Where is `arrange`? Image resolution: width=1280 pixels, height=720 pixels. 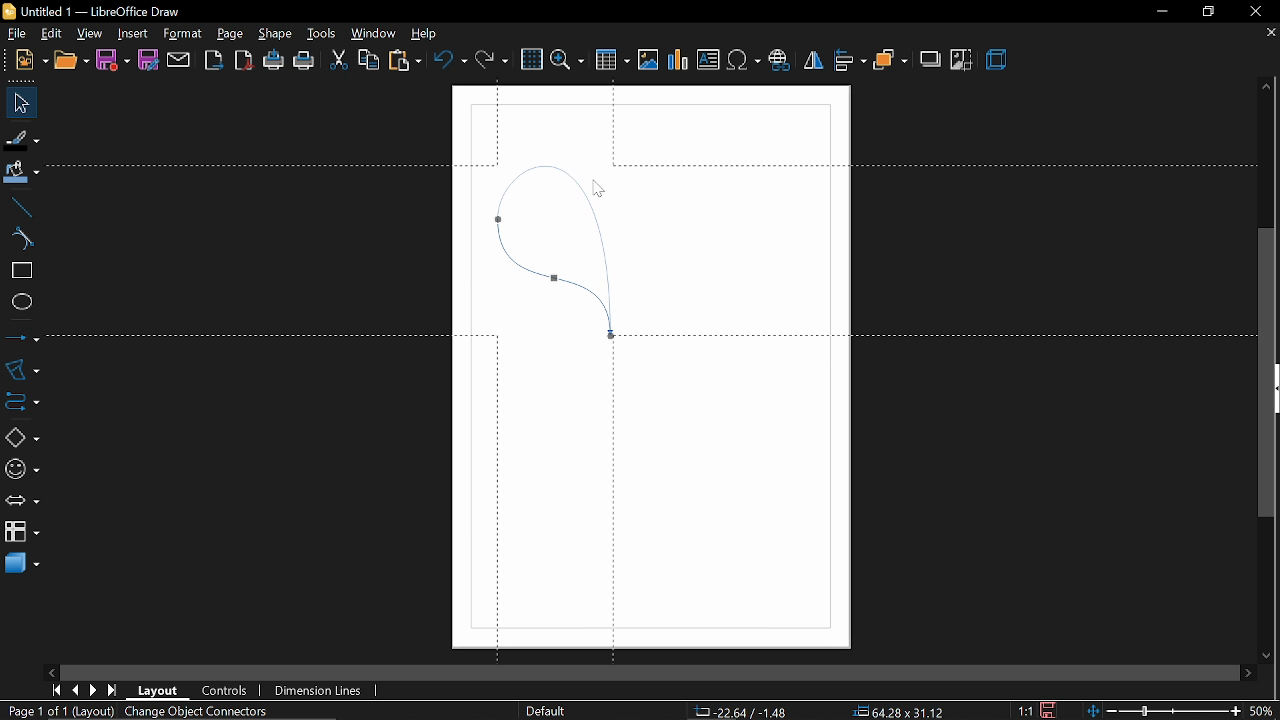 arrange is located at coordinates (890, 60).